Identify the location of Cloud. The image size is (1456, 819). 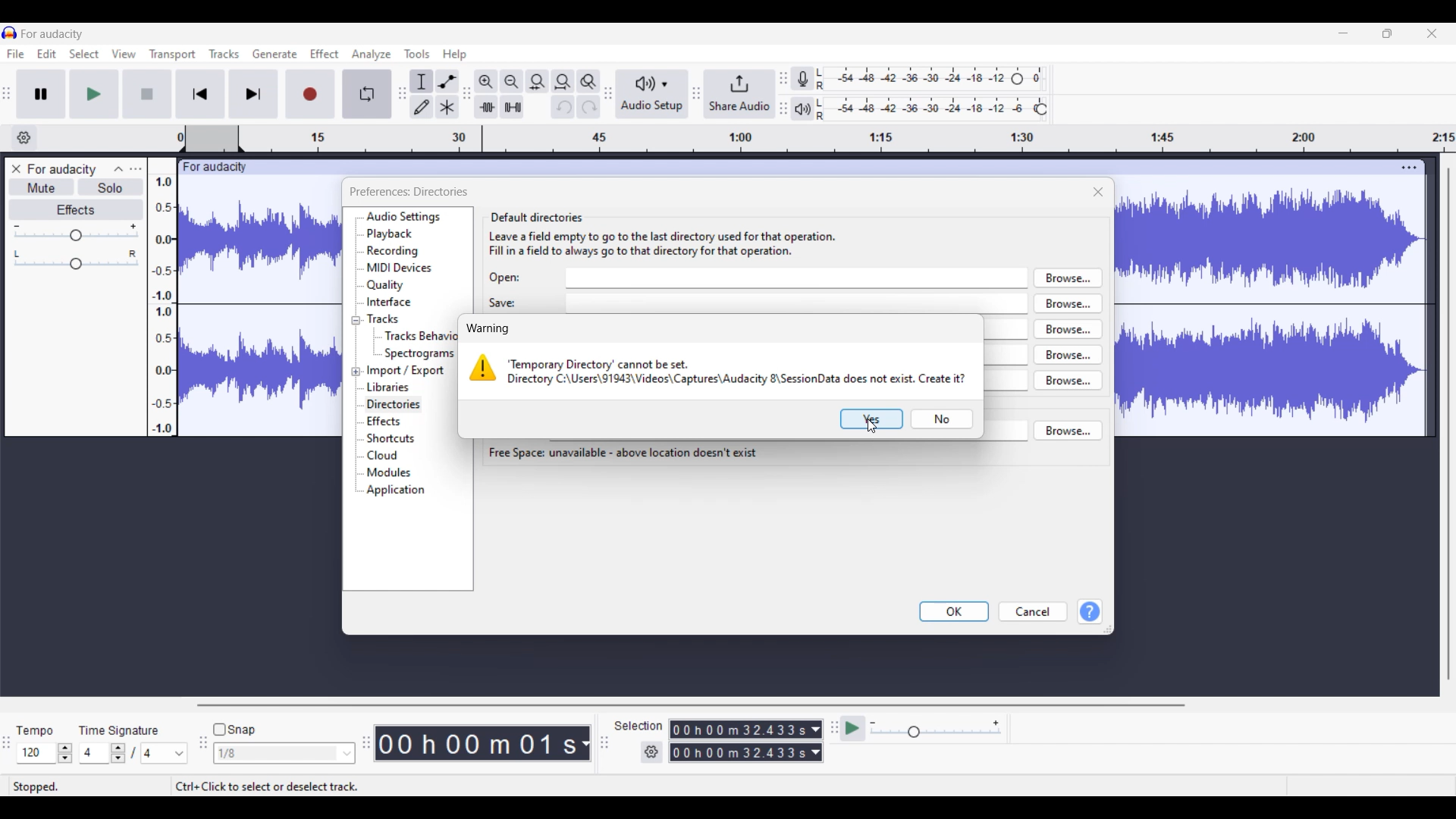
(383, 455).